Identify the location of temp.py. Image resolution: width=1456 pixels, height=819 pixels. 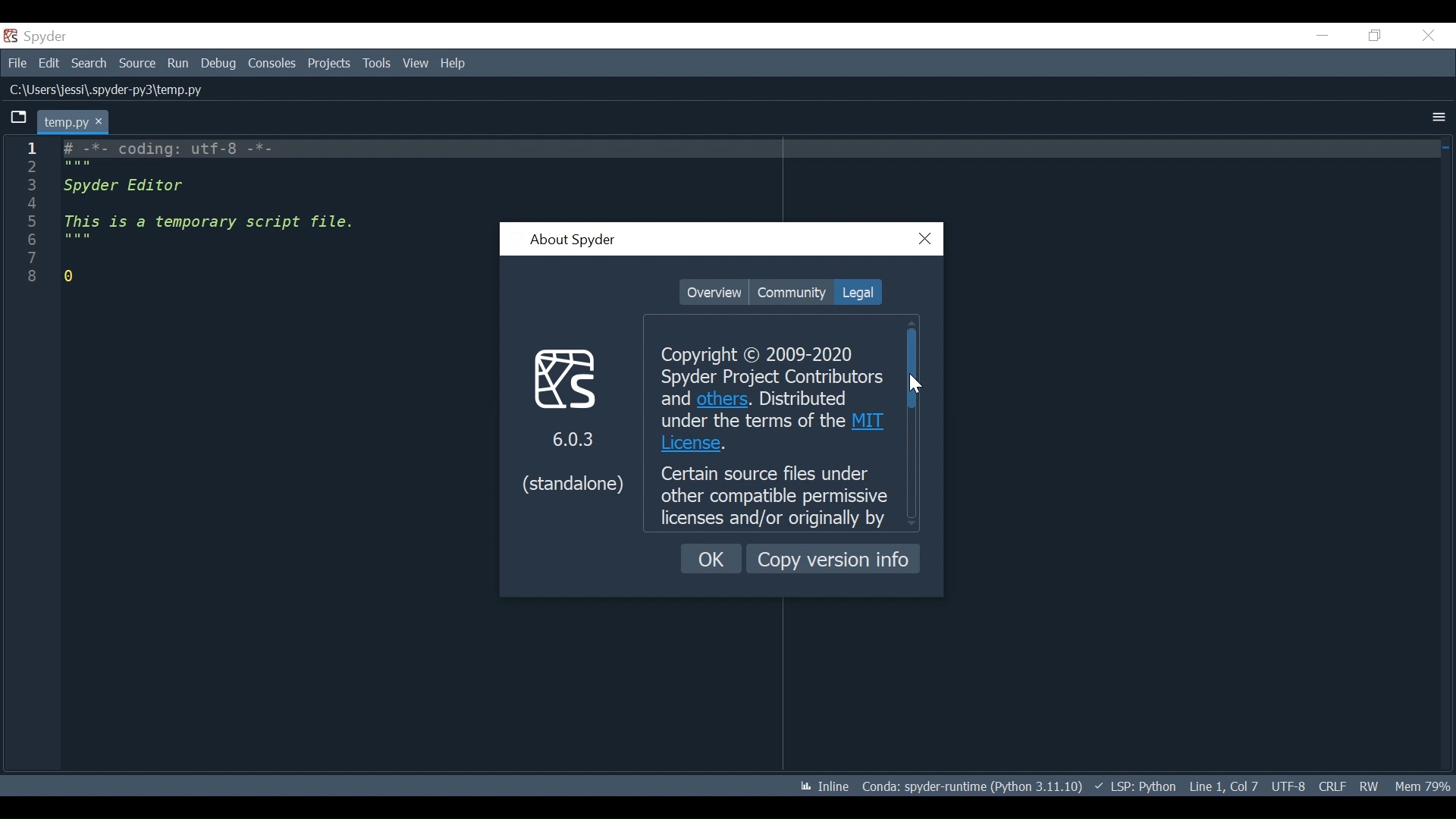
(74, 121).